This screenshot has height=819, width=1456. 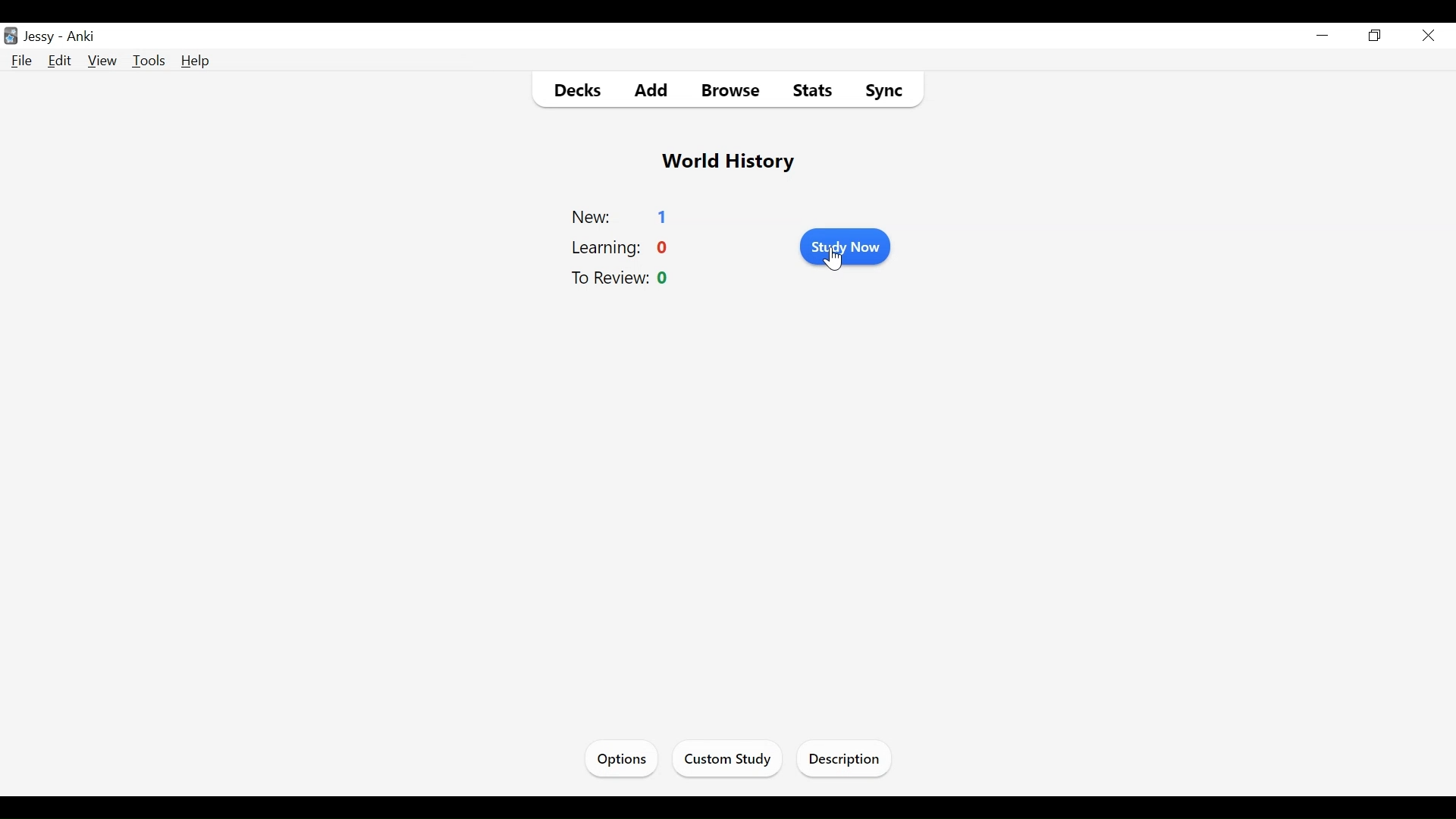 I want to click on Anki Desktop Icon, so click(x=11, y=35).